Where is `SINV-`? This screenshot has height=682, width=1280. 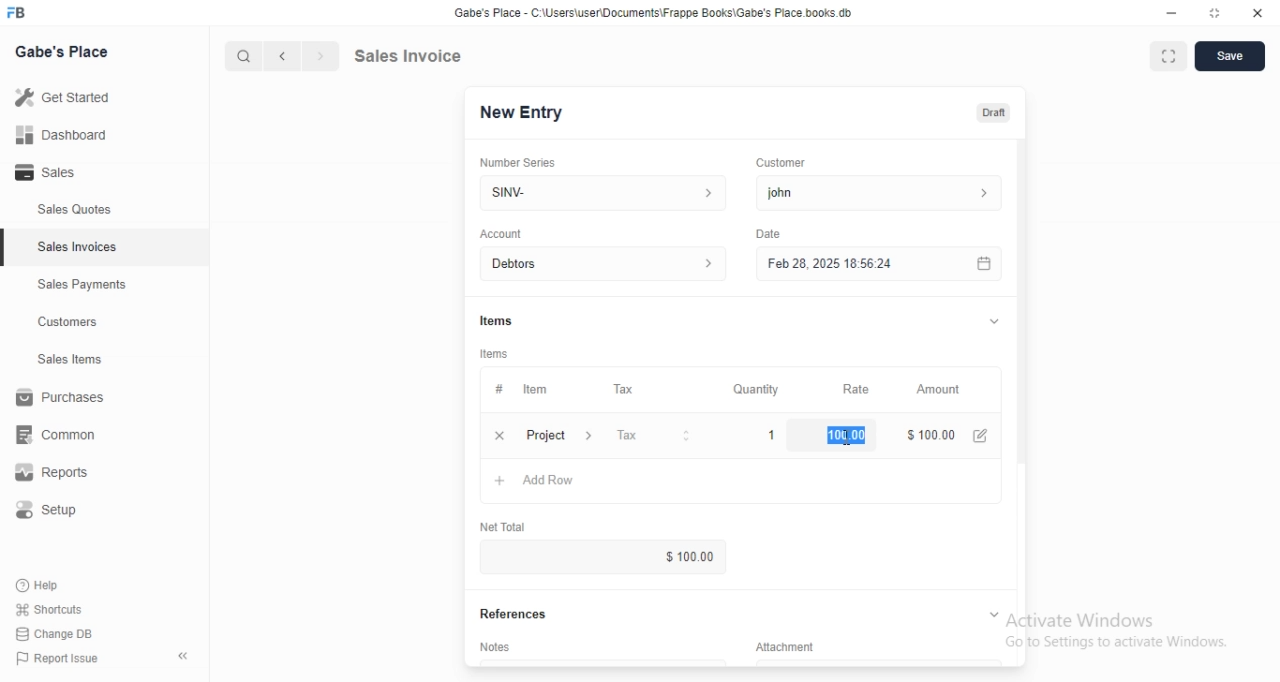
SINV- is located at coordinates (602, 191).